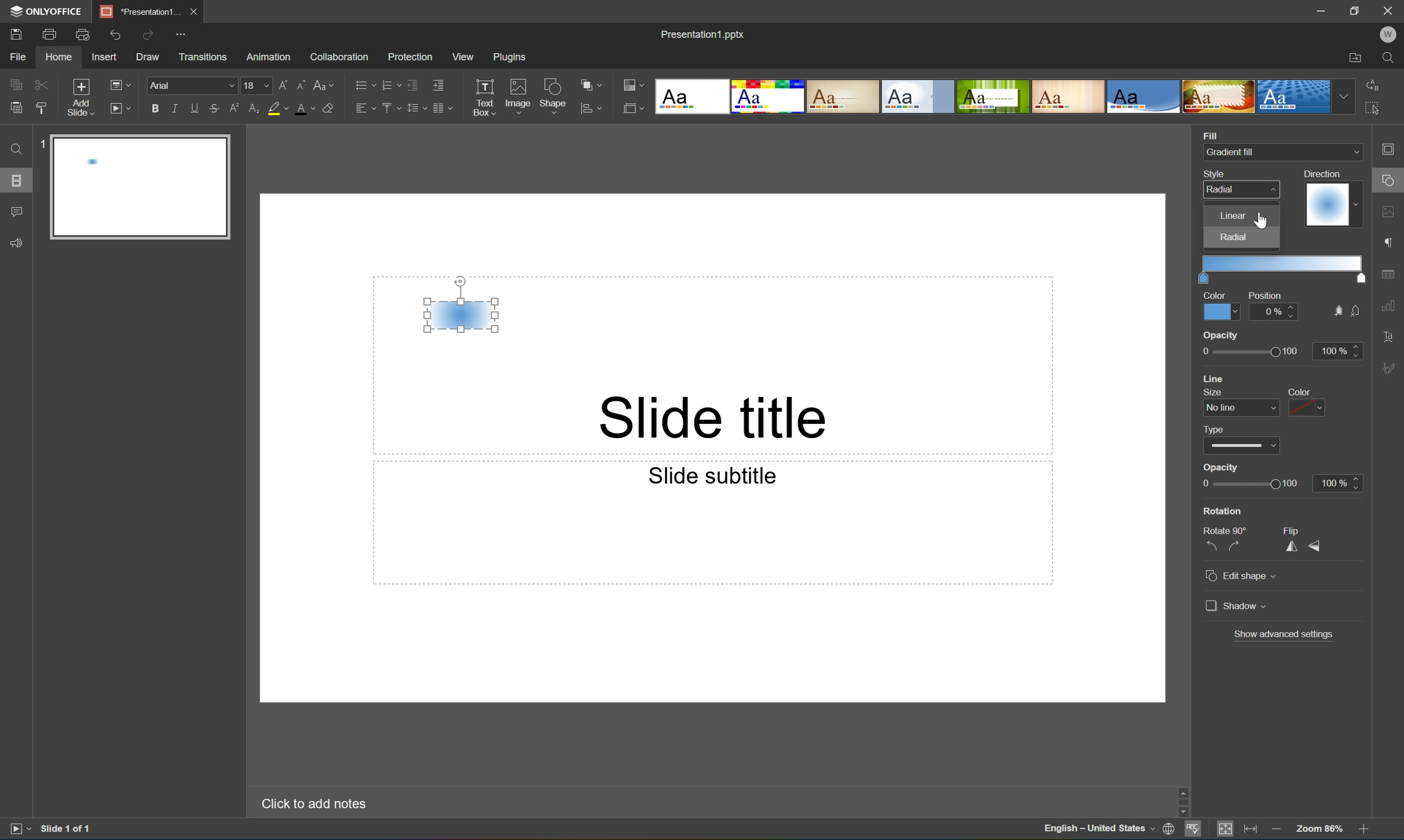  Describe the element at coordinates (1392, 149) in the screenshot. I see `Slide settings` at that location.